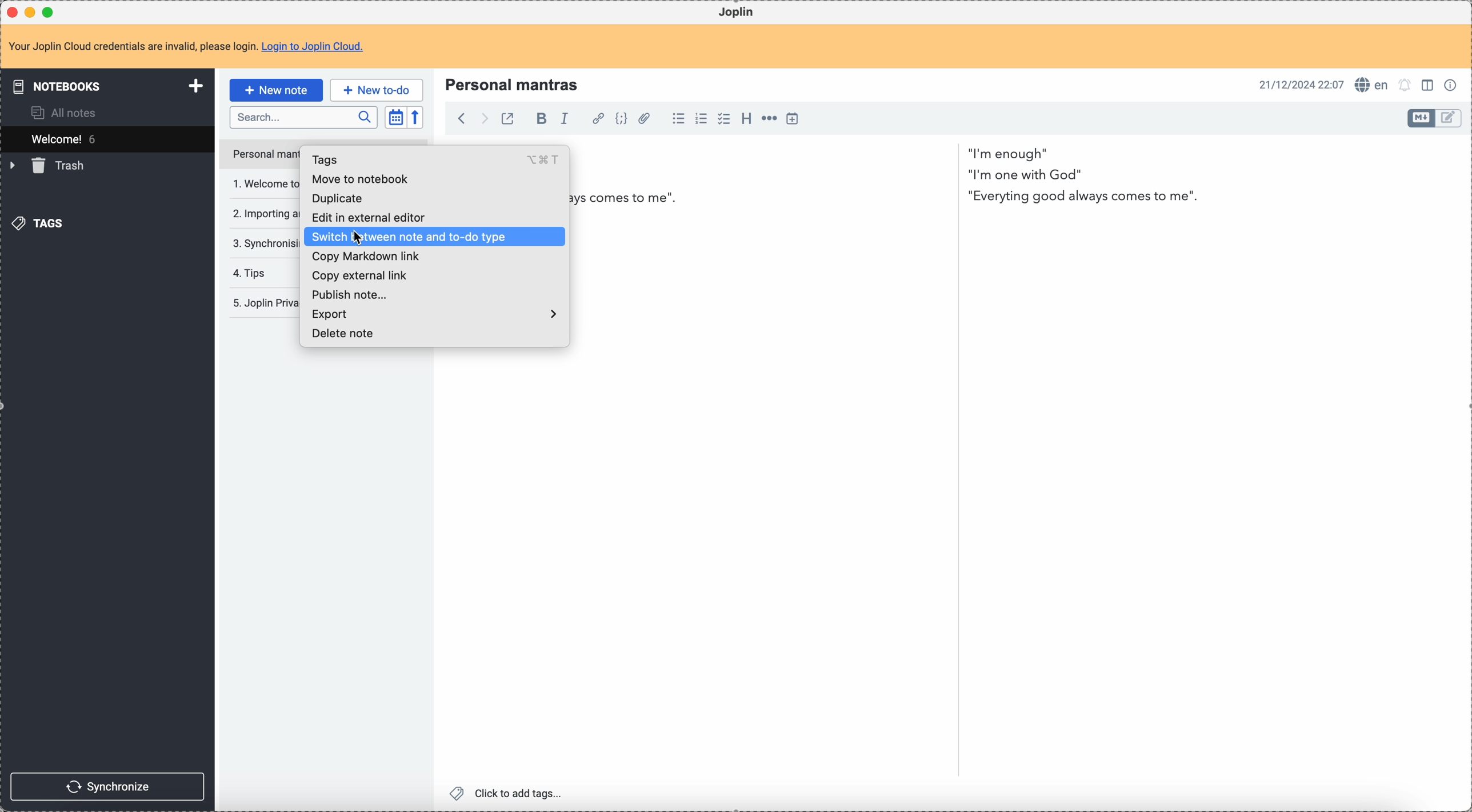 The height and width of the screenshot is (812, 1472). Describe the element at coordinates (109, 787) in the screenshot. I see `synchronize` at that location.